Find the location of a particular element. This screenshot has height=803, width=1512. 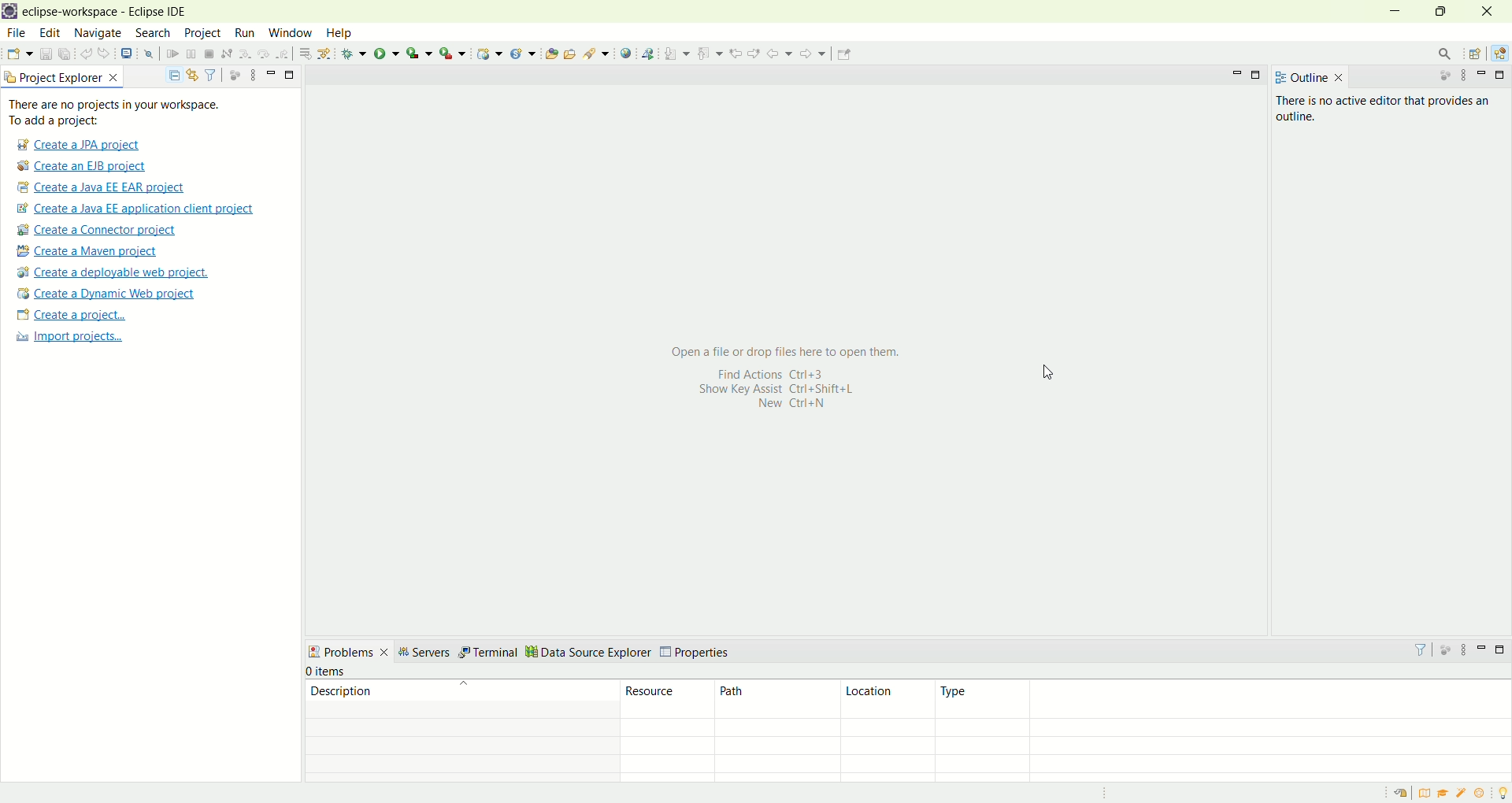

data source explorer is located at coordinates (589, 653).